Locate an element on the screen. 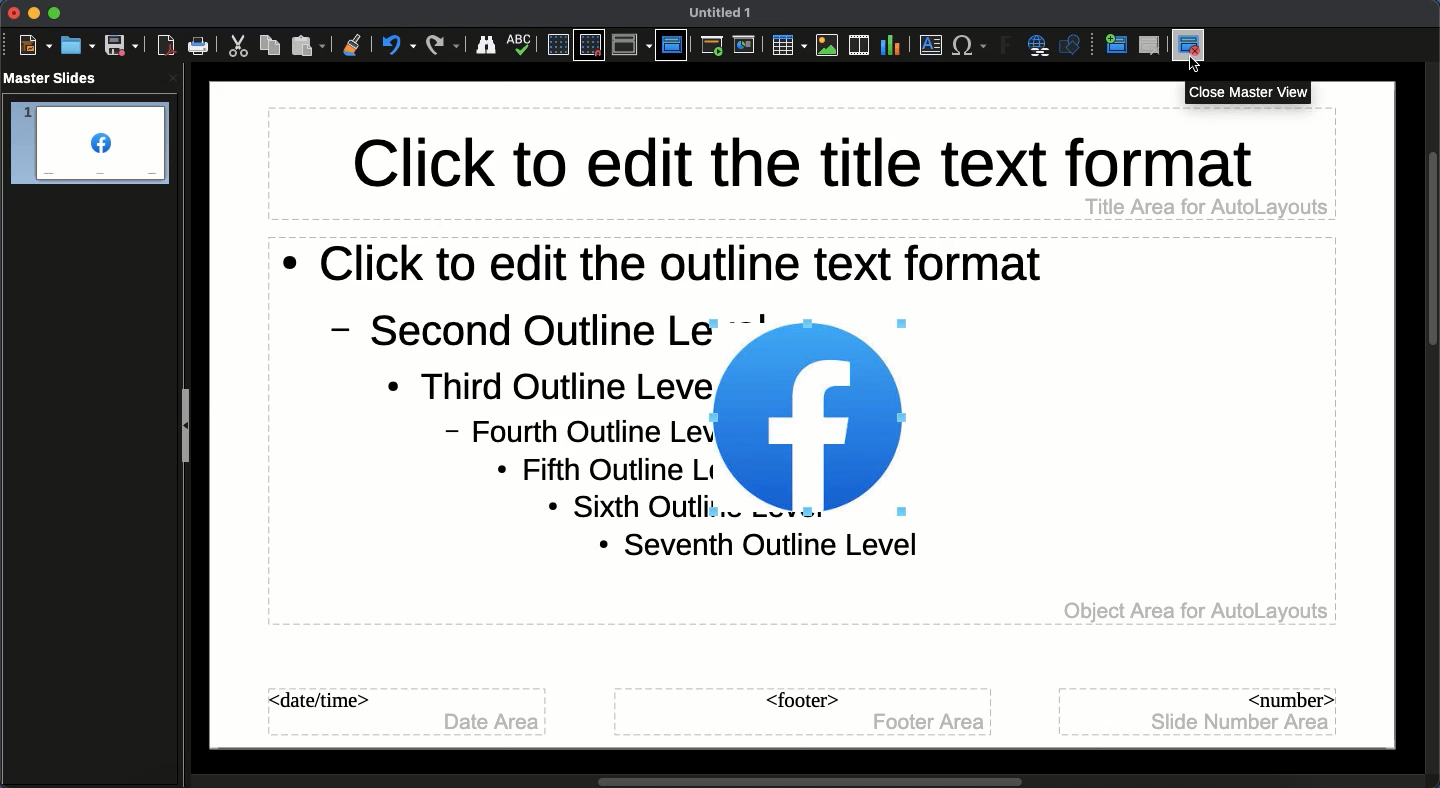  master slides is located at coordinates (52, 77).